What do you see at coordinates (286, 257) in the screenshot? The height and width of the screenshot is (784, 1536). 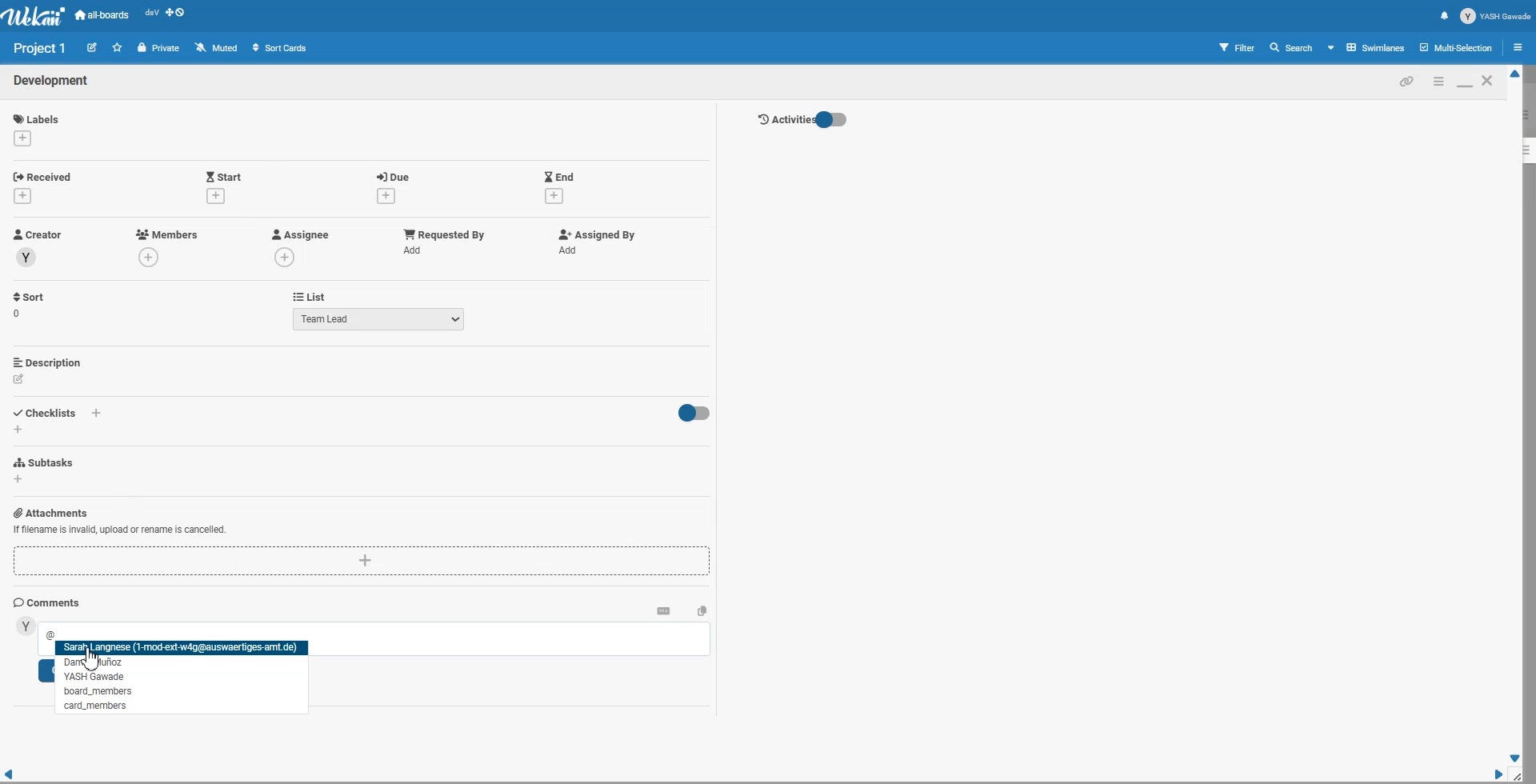 I see `add` at bounding box center [286, 257].